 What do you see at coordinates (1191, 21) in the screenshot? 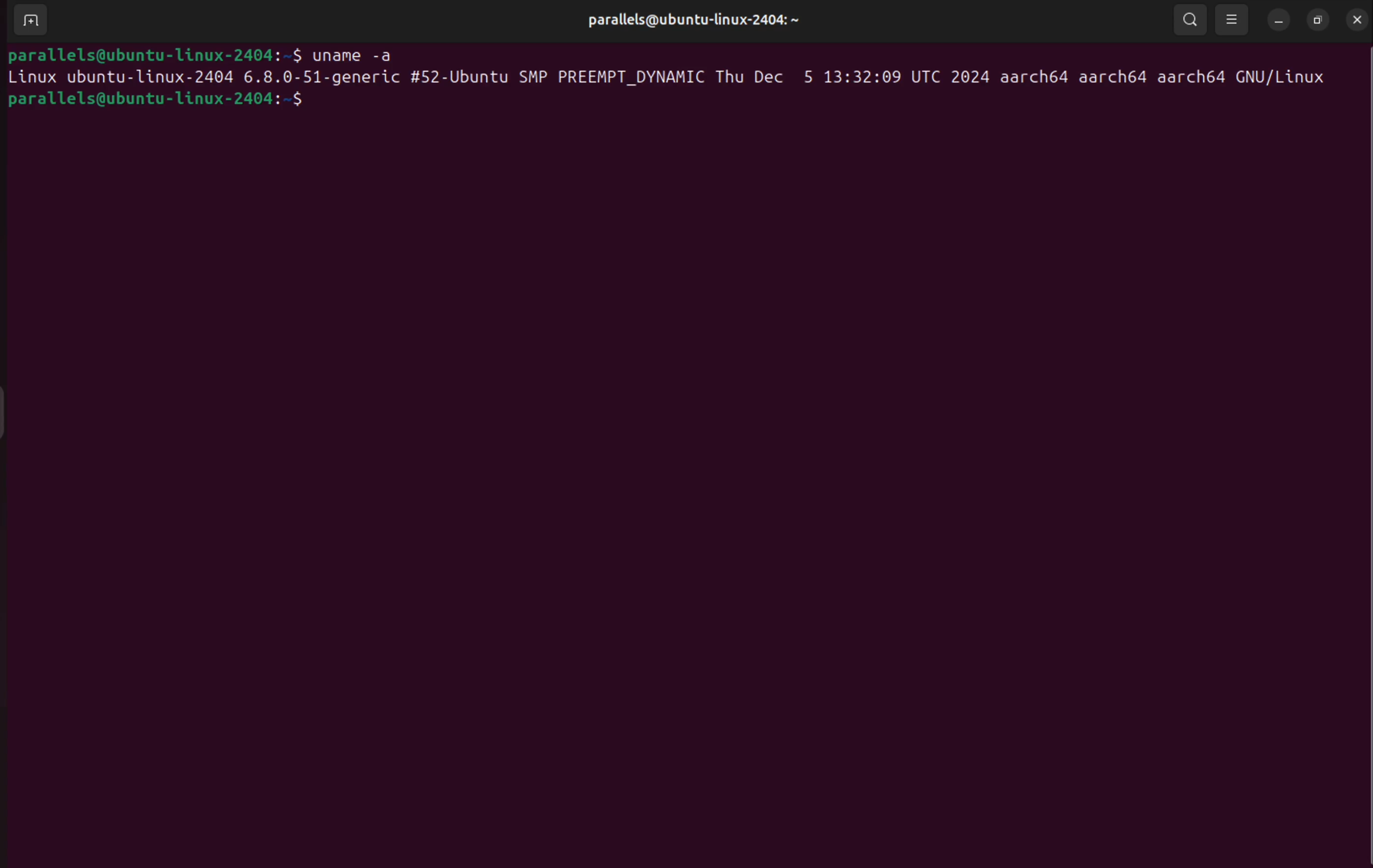
I see `search` at bounding box center [1191, 21].